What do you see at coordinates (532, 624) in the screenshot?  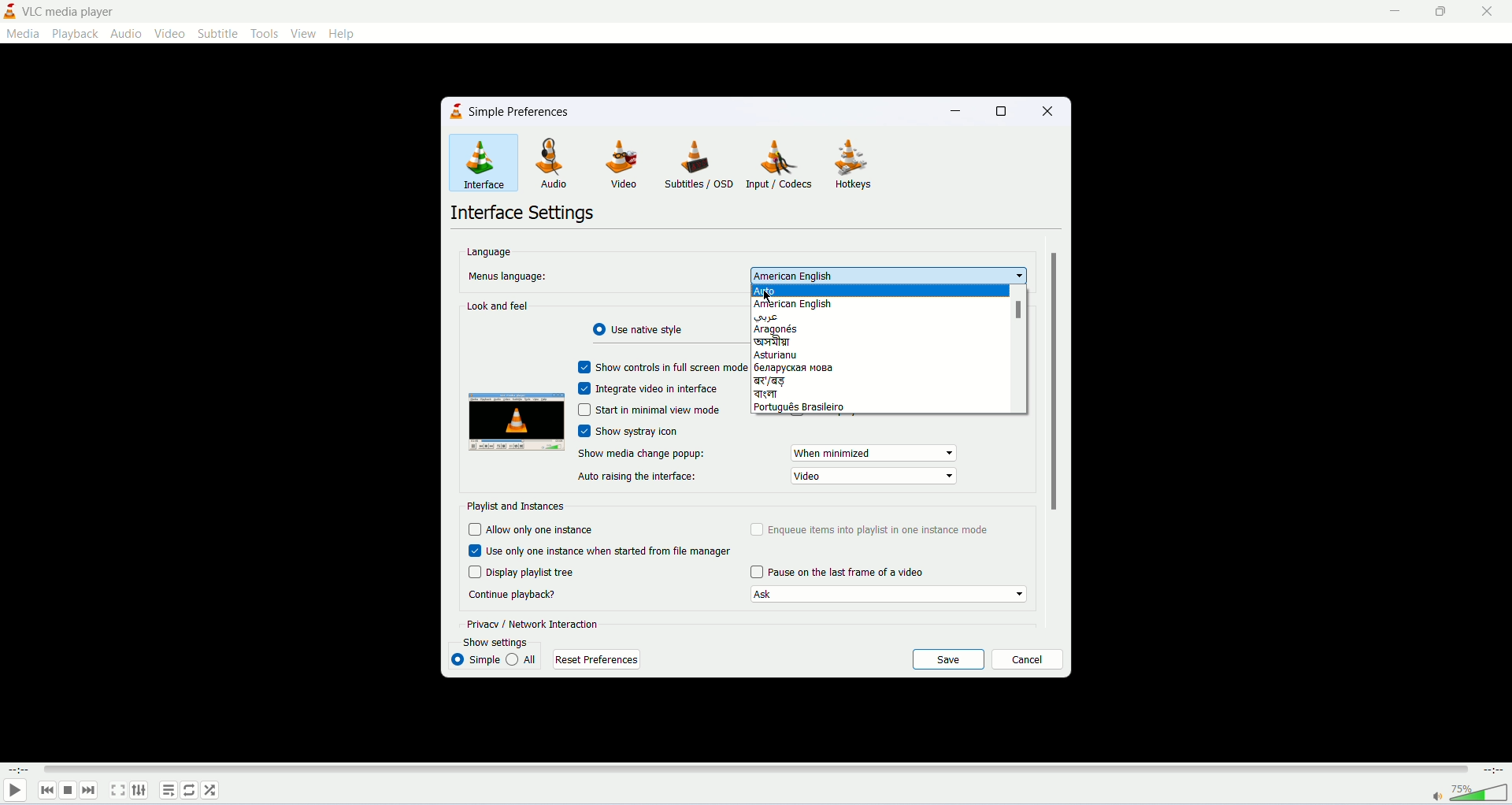 I see `privacy/network` at bounding box center [532, 624].